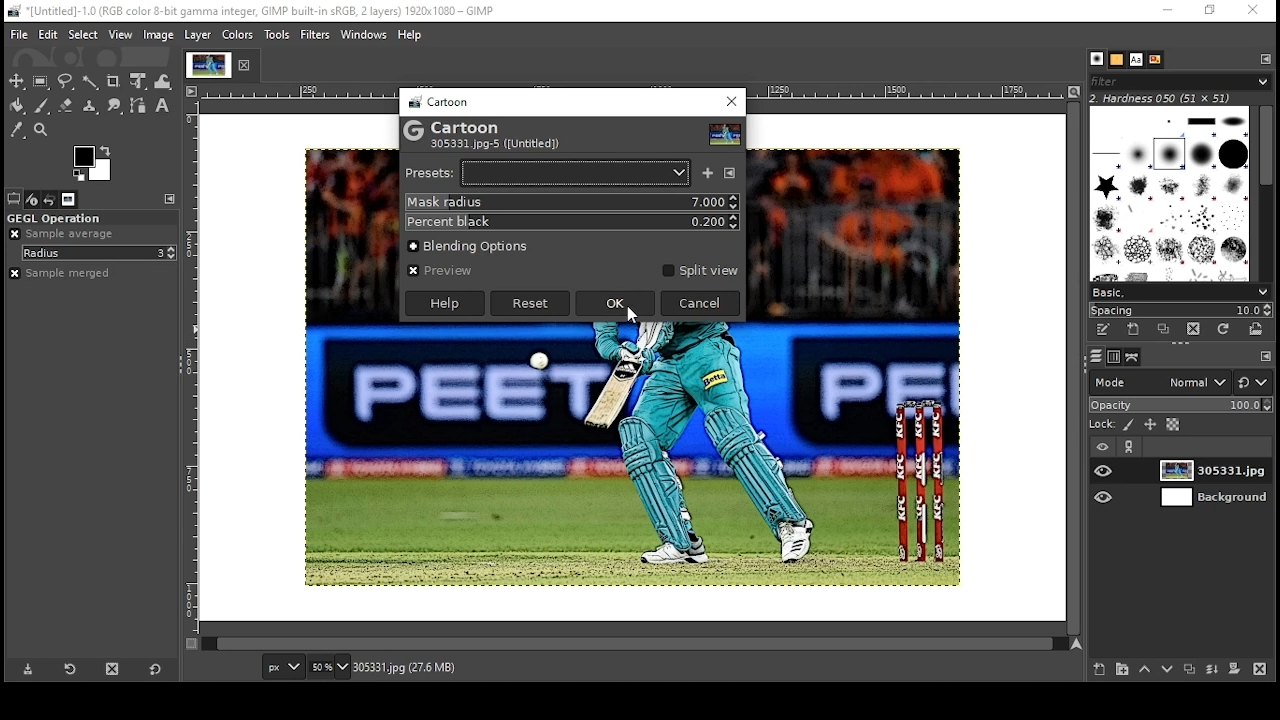  I want to click on save as a named preset, so click(707, 173).